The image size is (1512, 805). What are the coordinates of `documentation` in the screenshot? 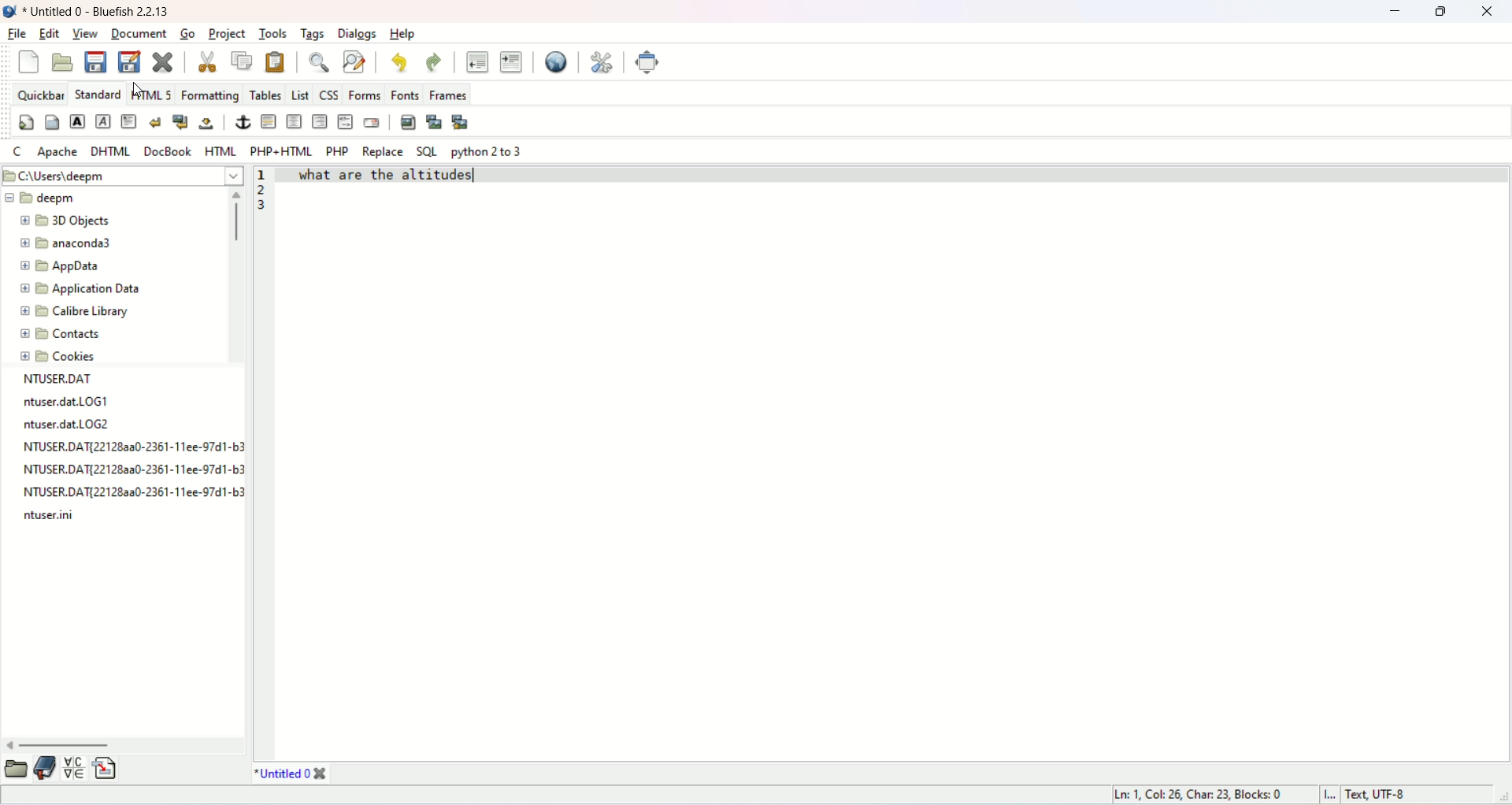 It's located at (43, 769).